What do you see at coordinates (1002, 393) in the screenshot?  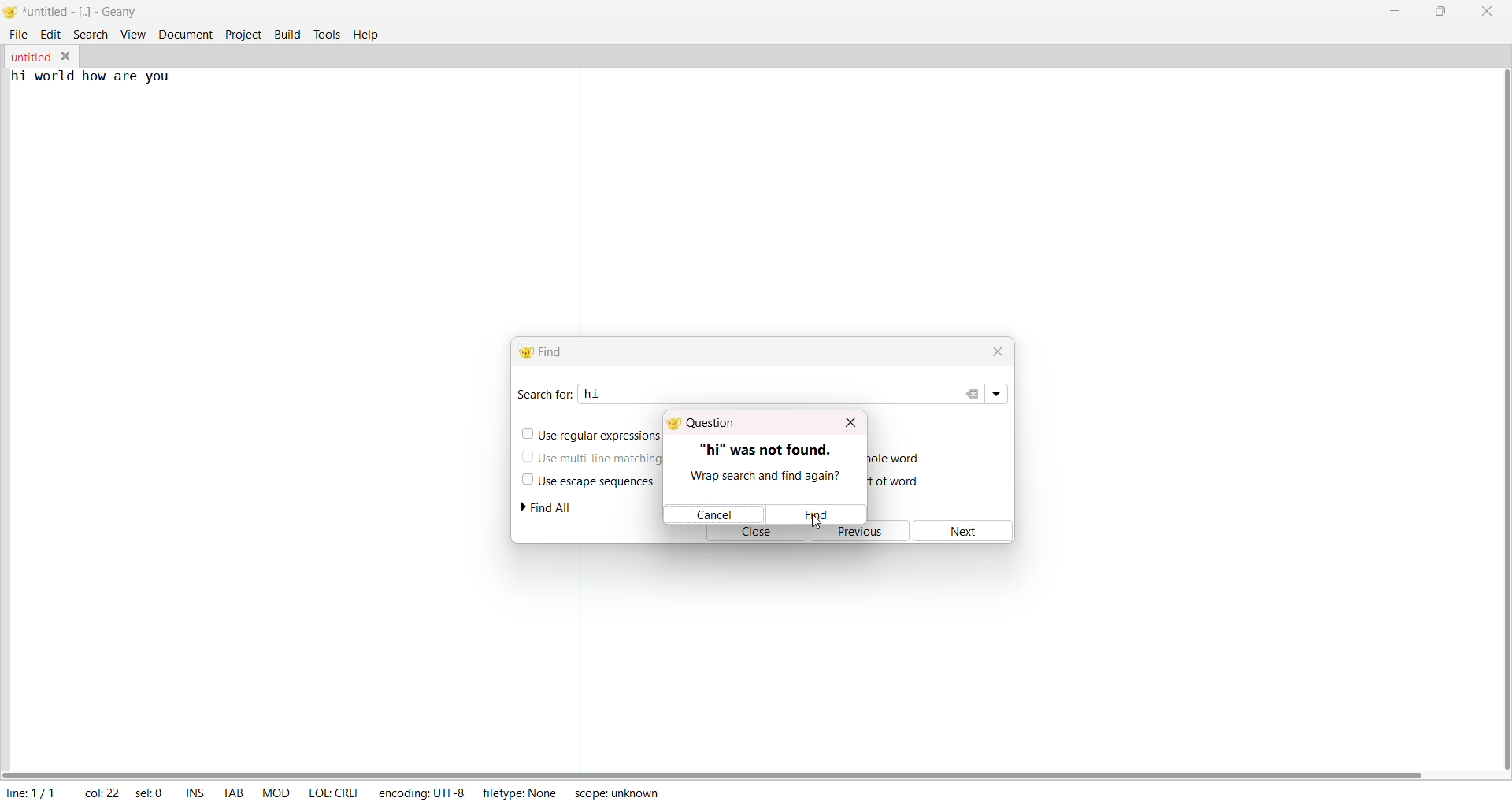 I see `search dropdown` at bounding box center [1002, 393].